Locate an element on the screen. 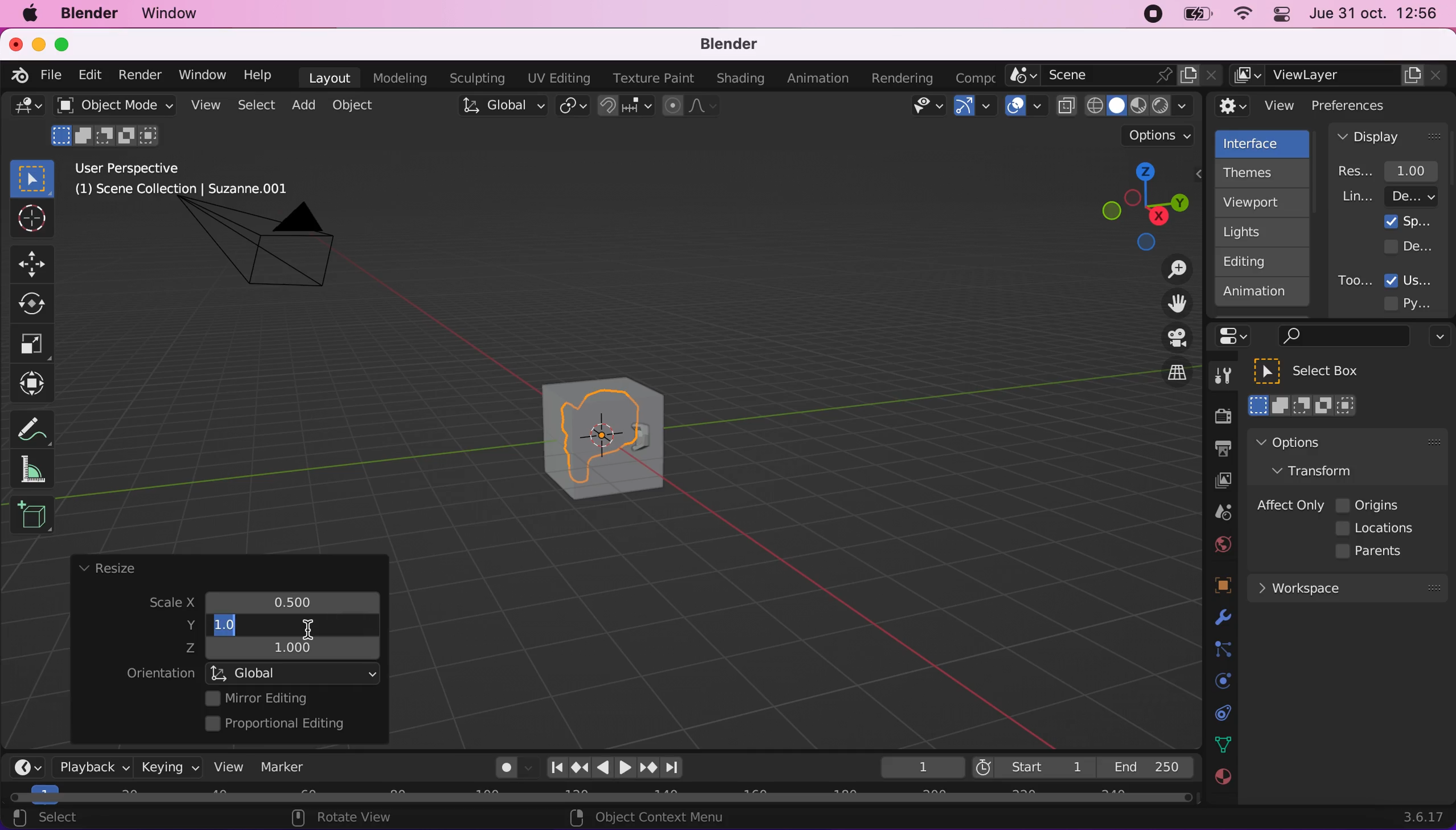 The image size is (1456, 830). collection is located at coordinates (1220, 713).